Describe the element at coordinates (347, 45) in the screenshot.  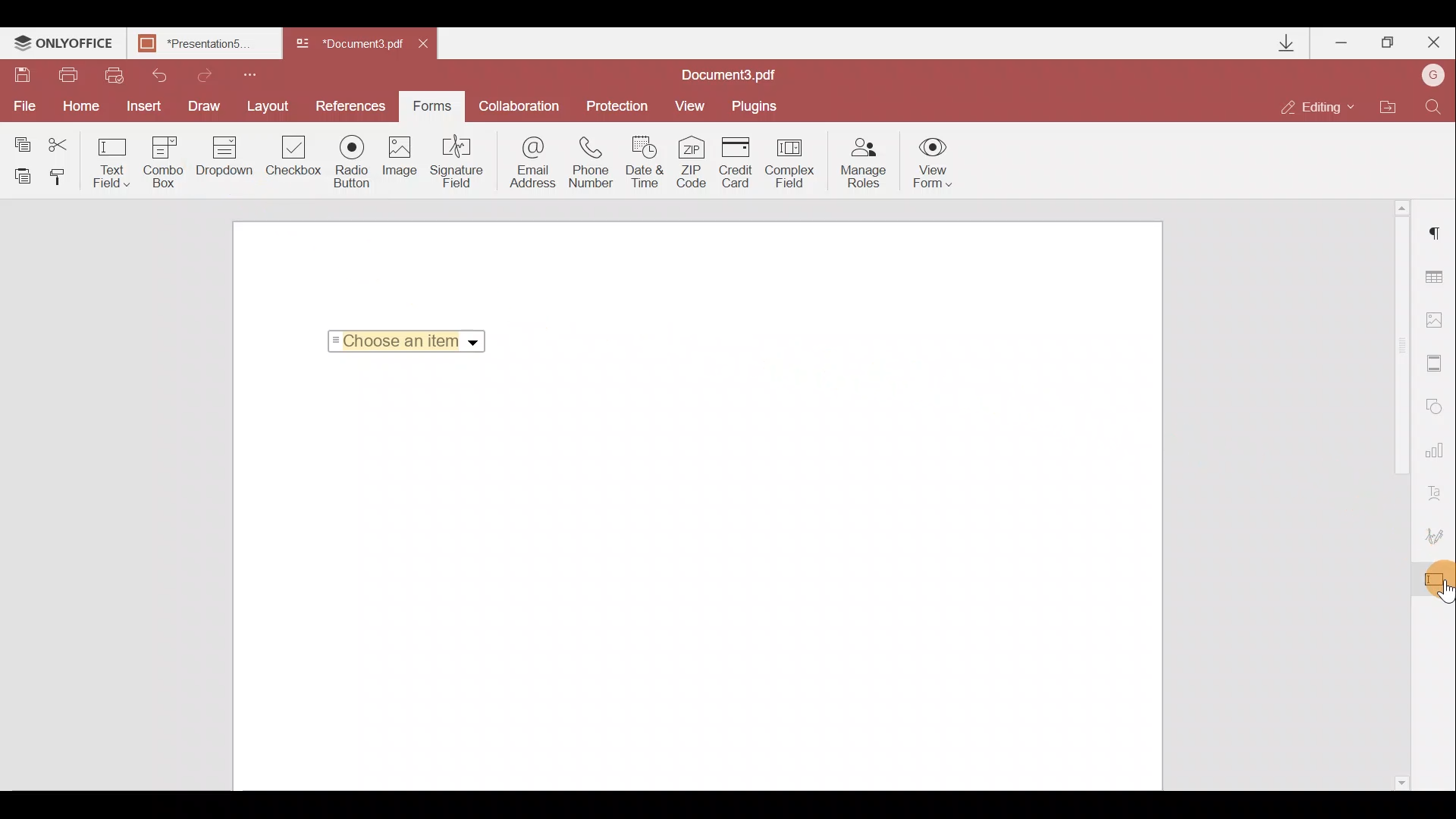
I see `Document name` at that location.